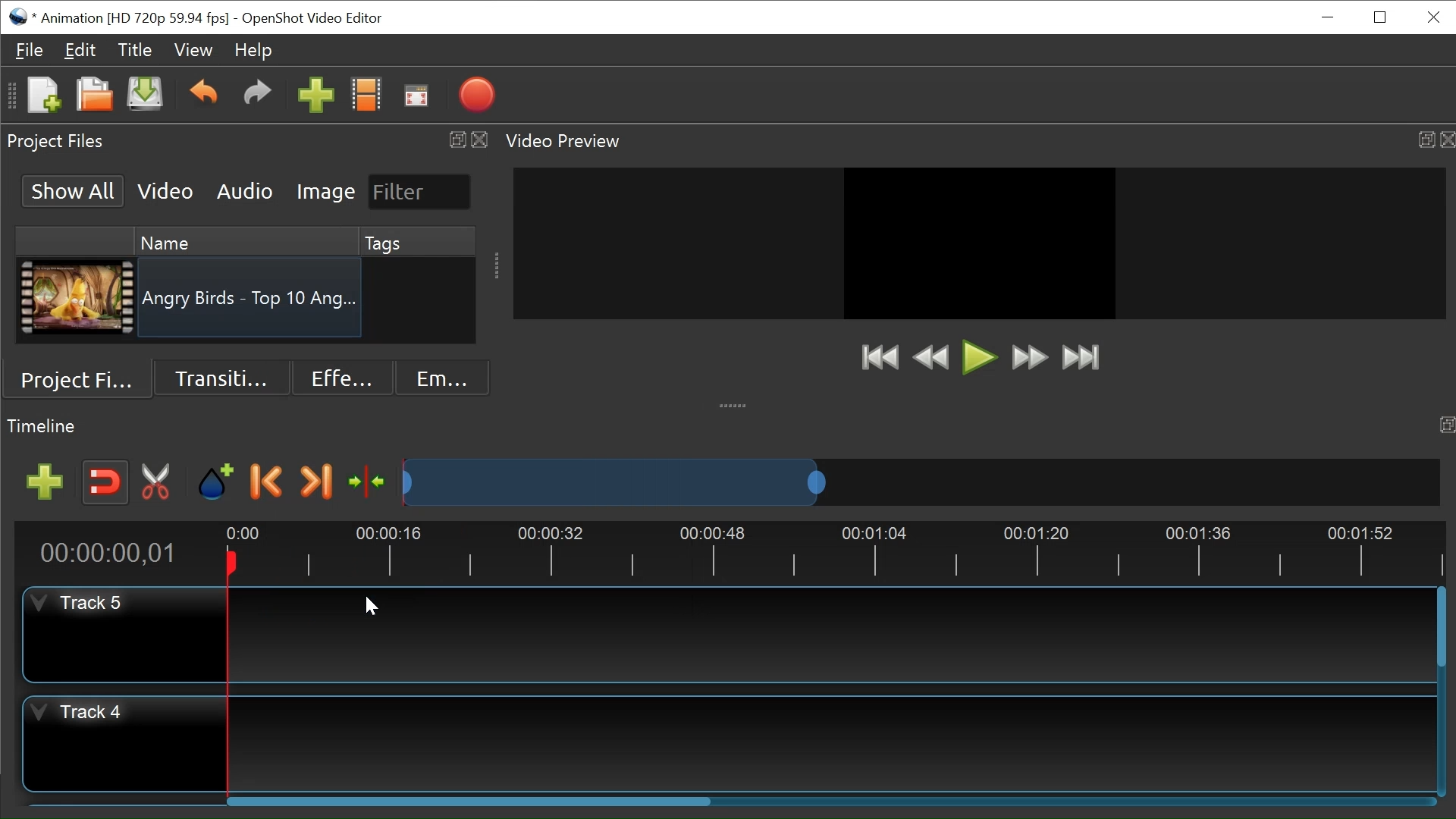  What do you see at coordinates (367, 96) in the screenshot?
I see `Choose Files` at bounding box center [367, 96].